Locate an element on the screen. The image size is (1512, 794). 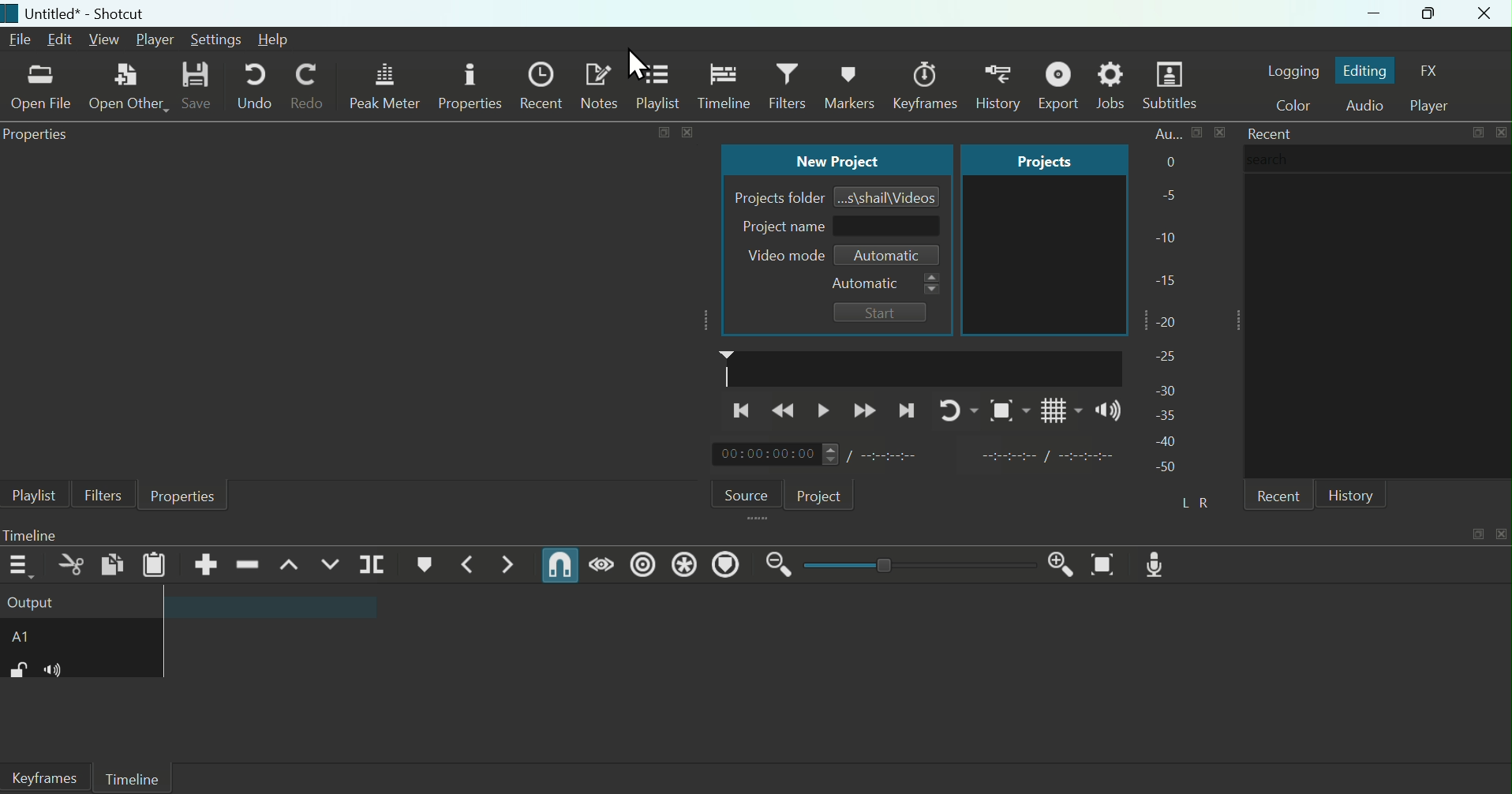
-10 is located at coordinates (1170, 237).